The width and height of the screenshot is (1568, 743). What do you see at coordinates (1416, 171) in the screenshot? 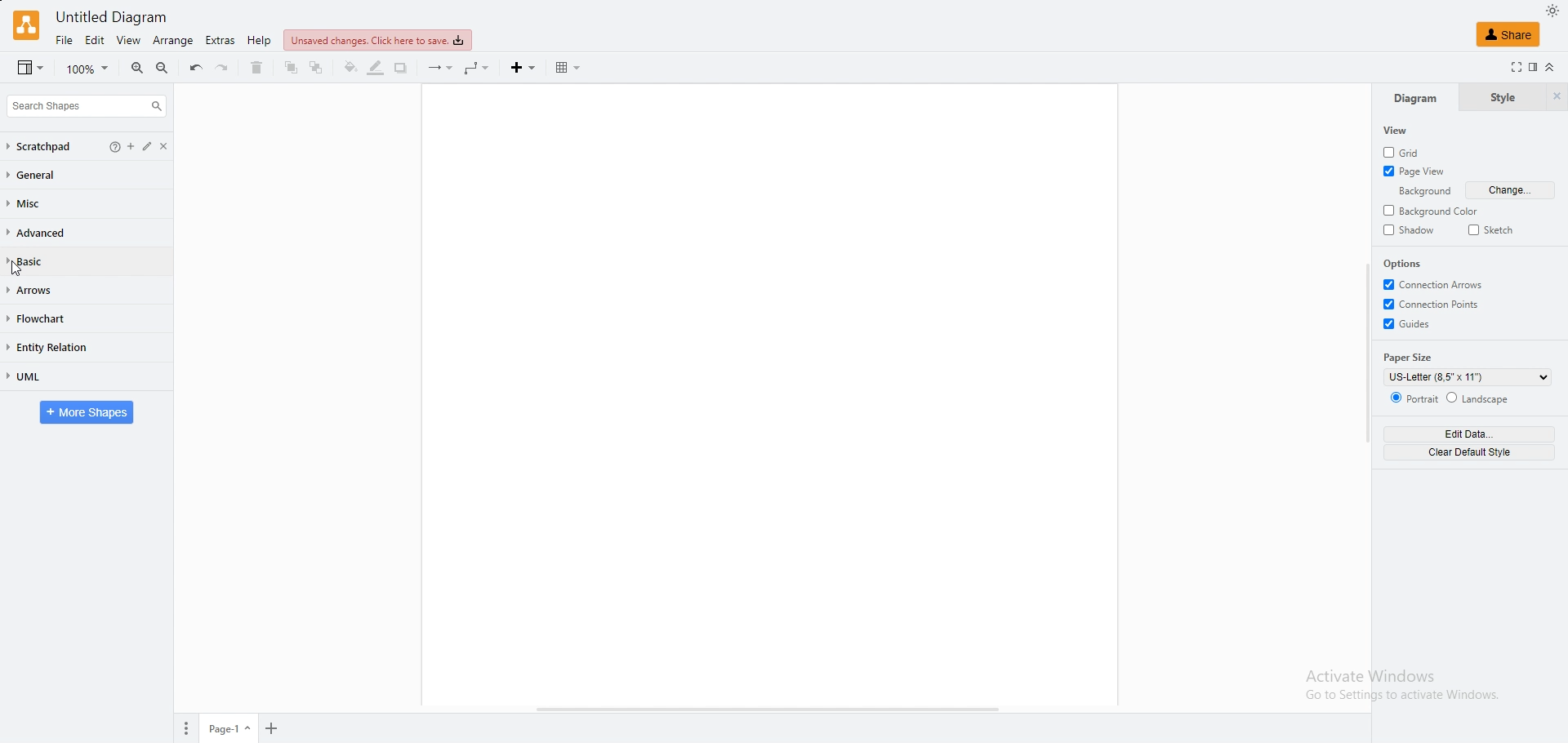
I see `page view` at bounding box center [1416, 171].